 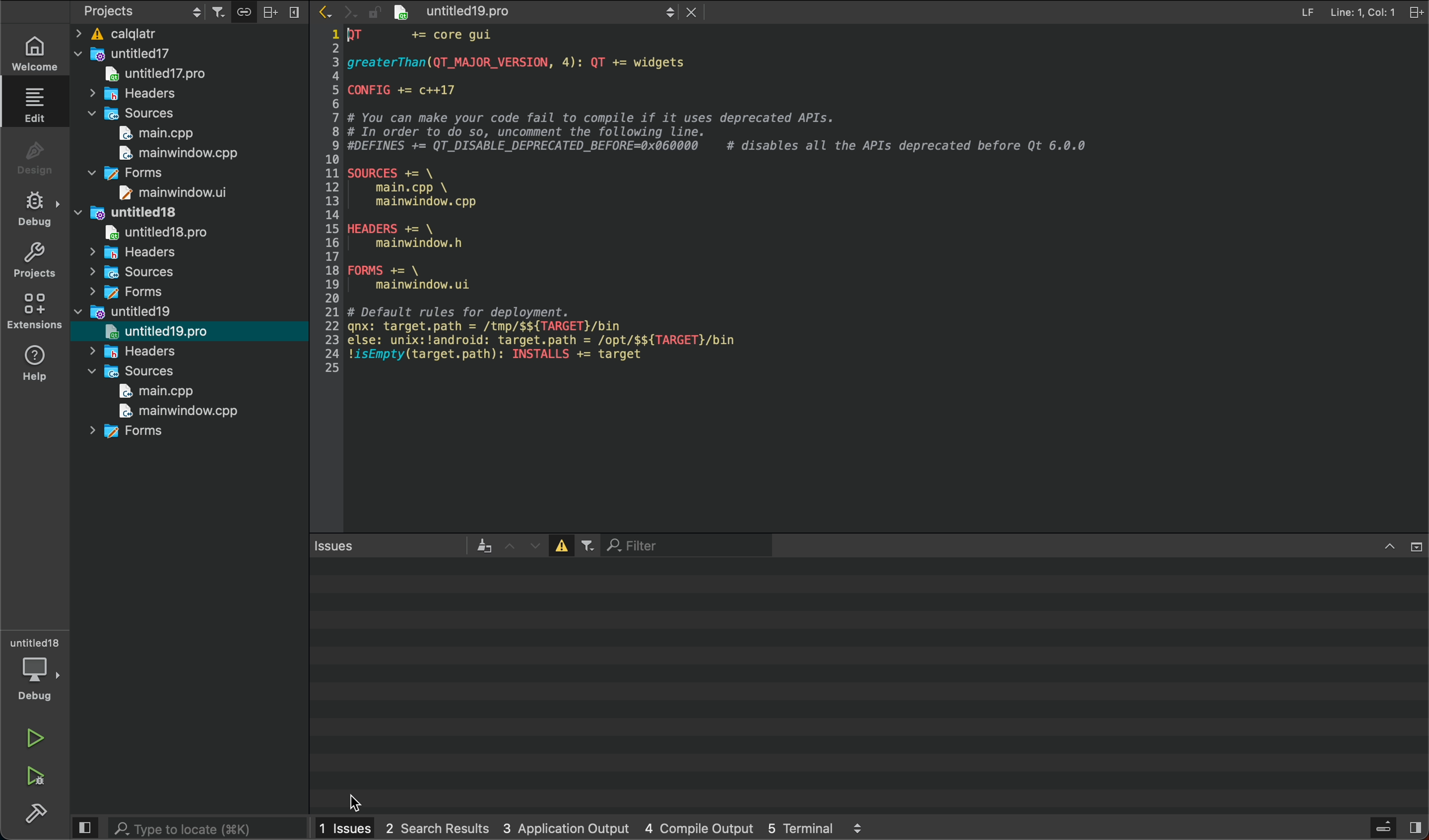 What do you see at coordinates (39, 53) in the screenshot?
I see `welcome` at bounding box center [39, 53].